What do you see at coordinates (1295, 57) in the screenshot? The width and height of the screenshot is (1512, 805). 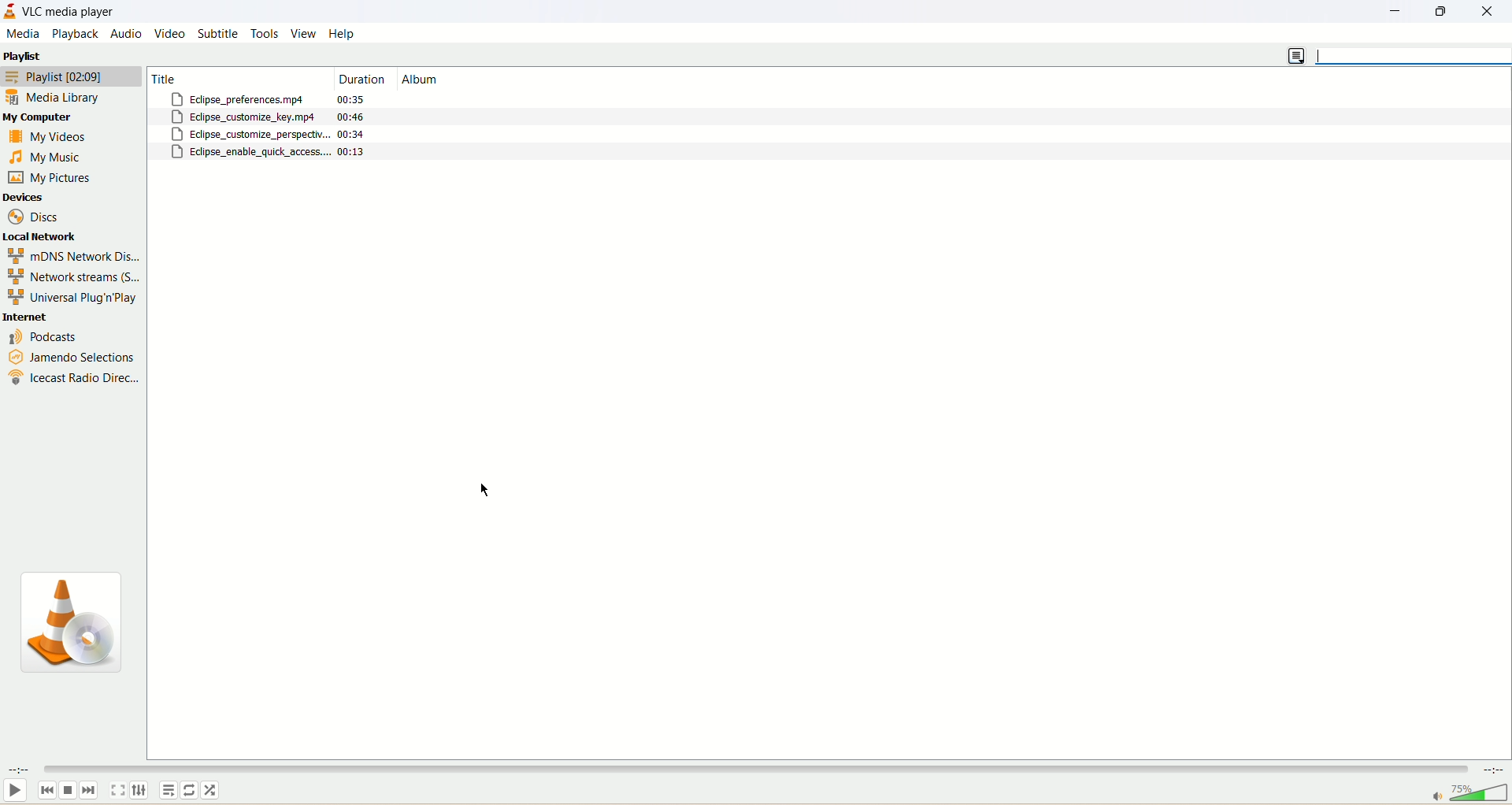 I see `change view` at bounding box center [1295, 57].